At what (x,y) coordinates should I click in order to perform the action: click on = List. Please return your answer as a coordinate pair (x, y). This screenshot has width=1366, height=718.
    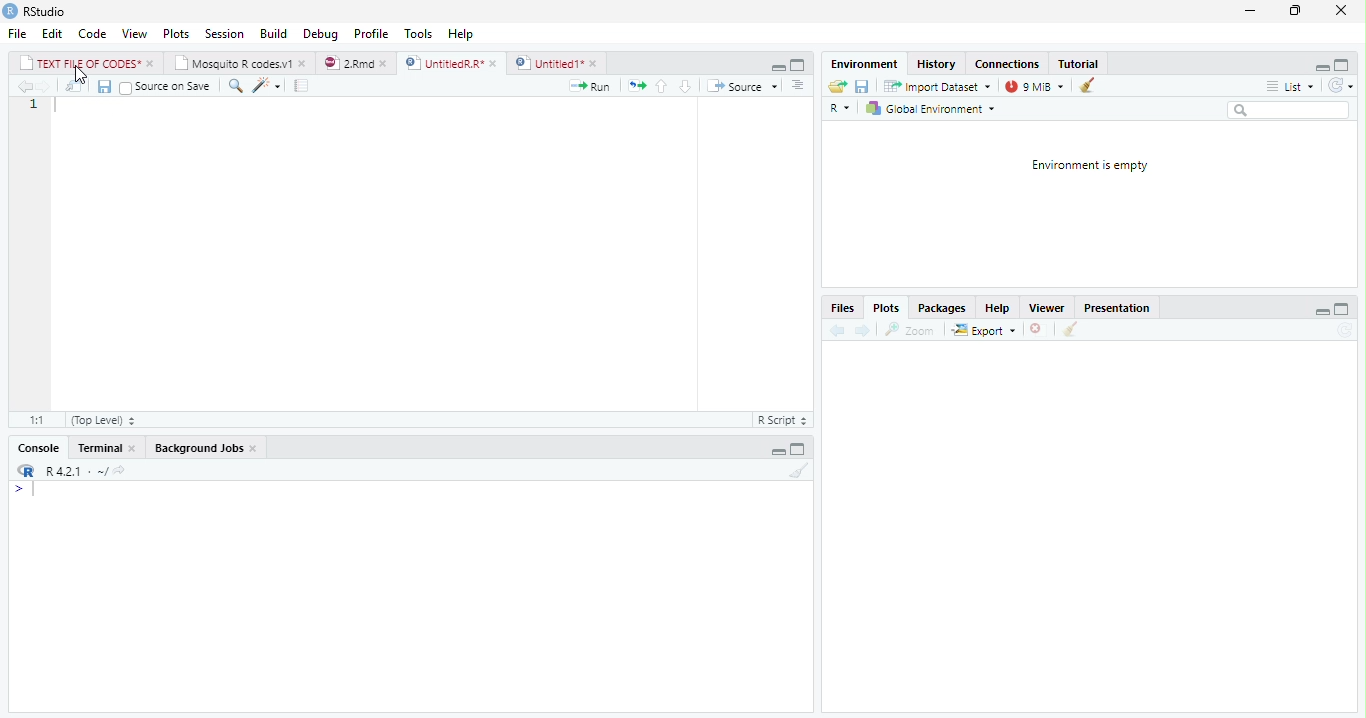
    Looking at the image, I should click on (1292, 87).